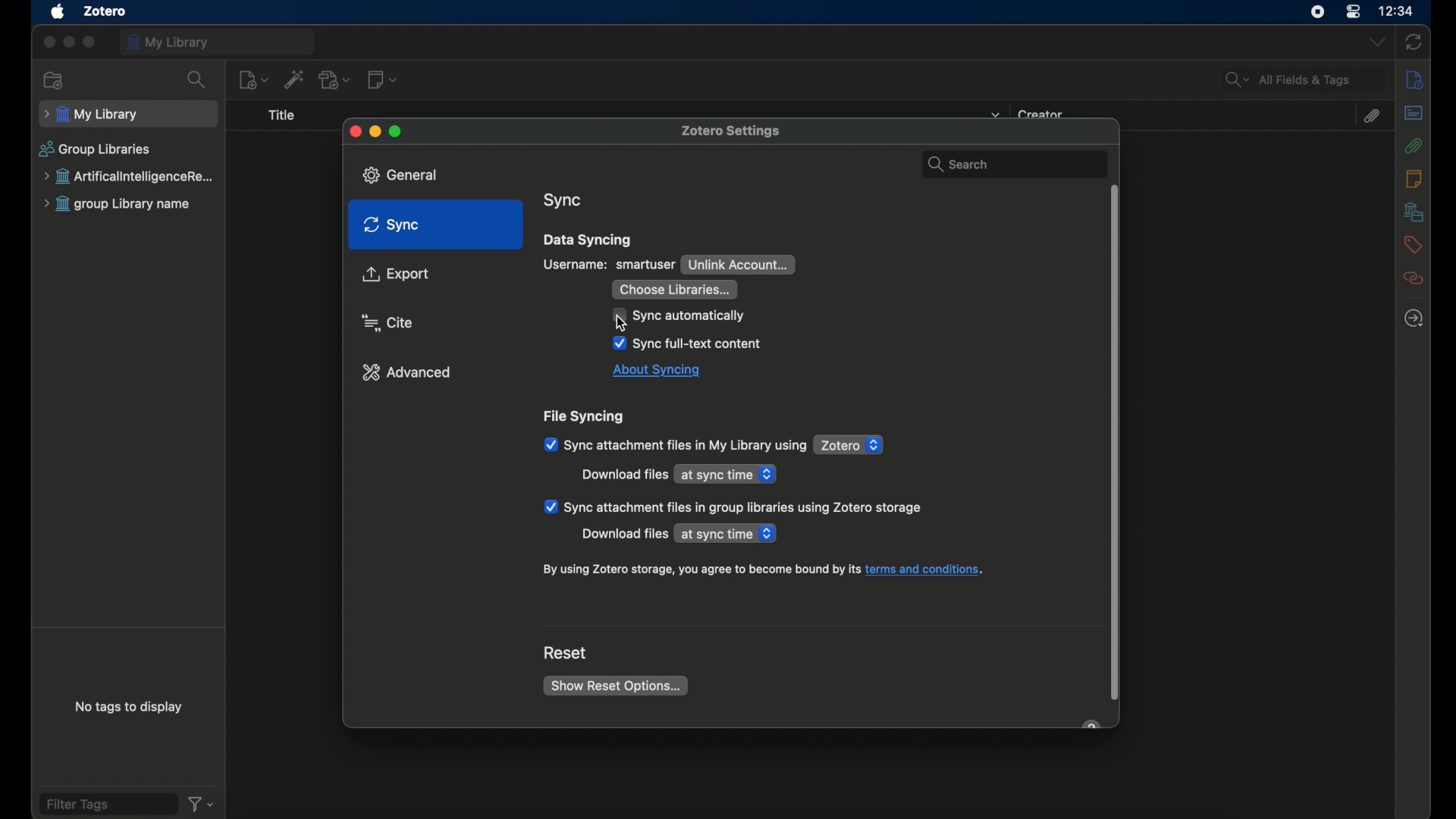  Describe the element at coordinates (388, 322) in the screenshot. I see `cite` at that location.